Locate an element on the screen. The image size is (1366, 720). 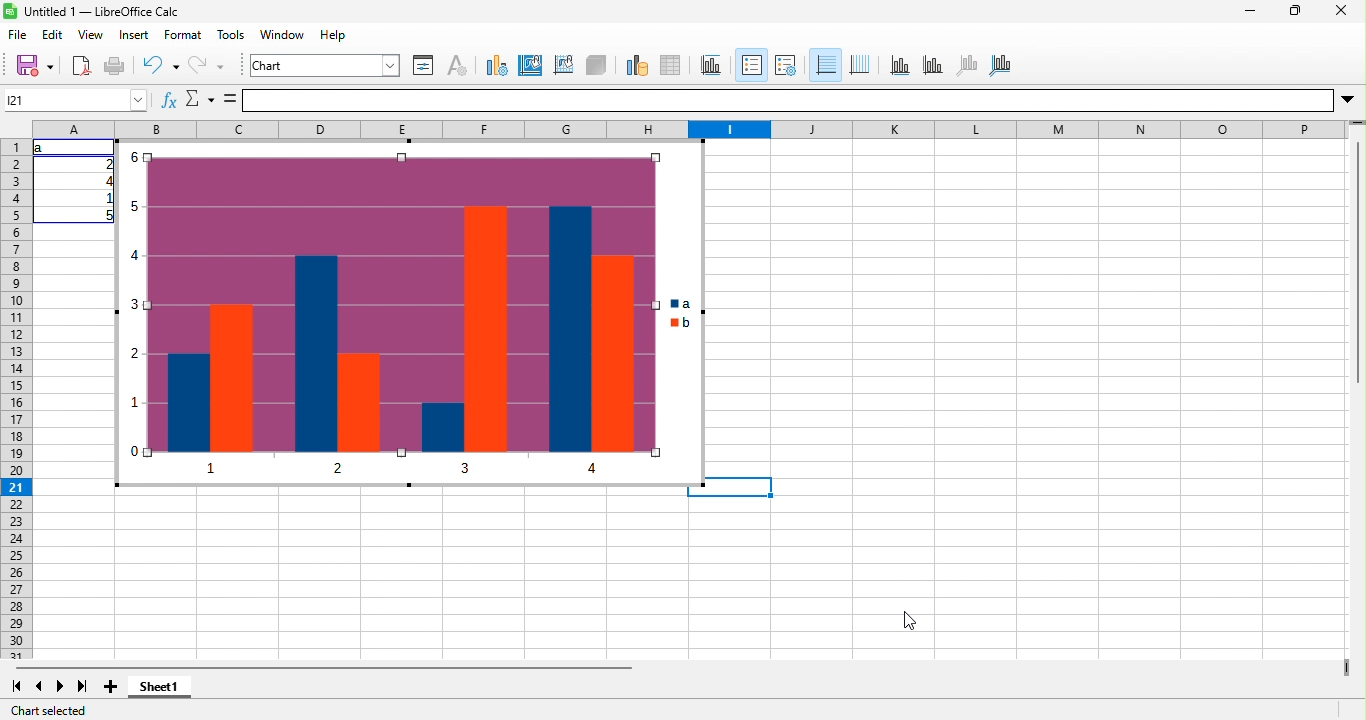
x axis is located at coordinates (901, 66).